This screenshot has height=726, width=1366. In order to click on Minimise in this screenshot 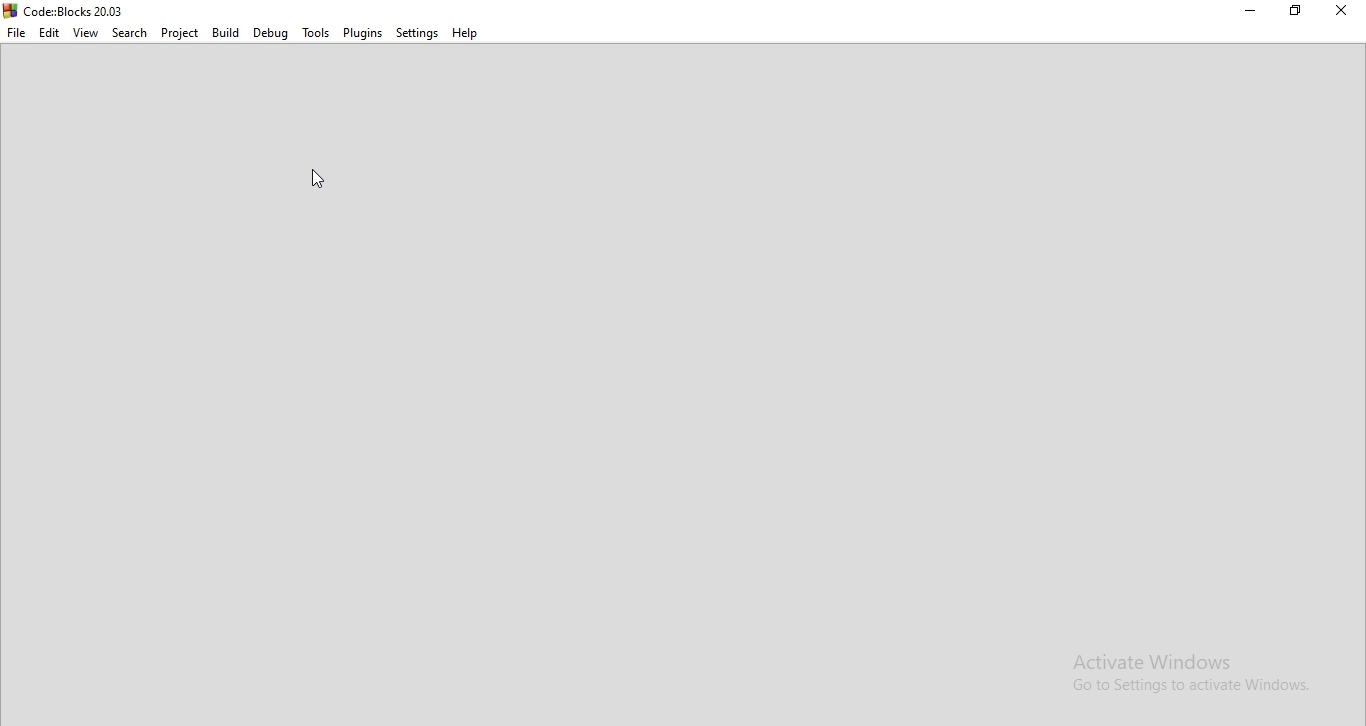, I will do `click(1245, 11)`.